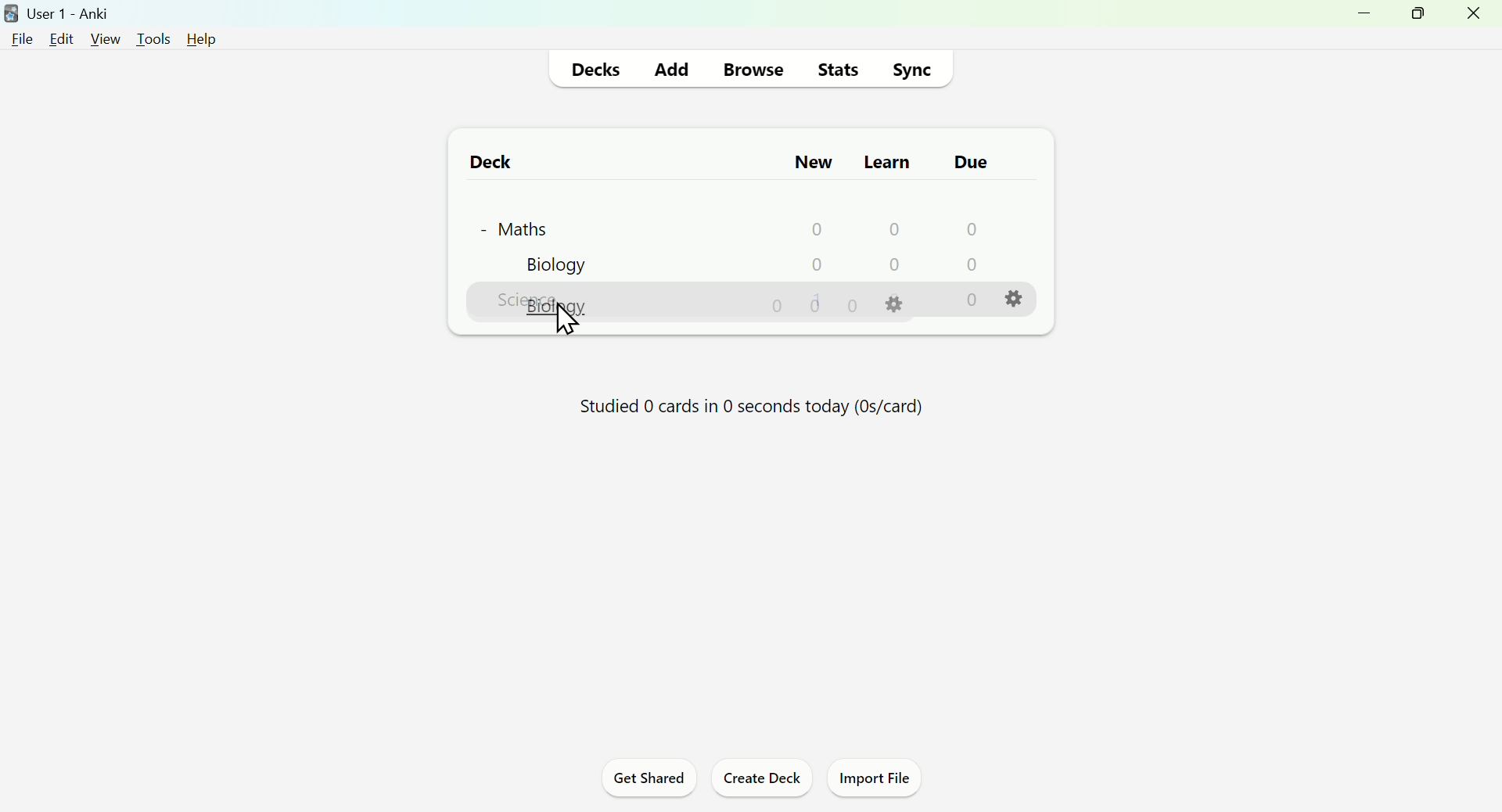 This screenshot has width=1502, height=812. I want to click on Get Shared, so click(643, 781).